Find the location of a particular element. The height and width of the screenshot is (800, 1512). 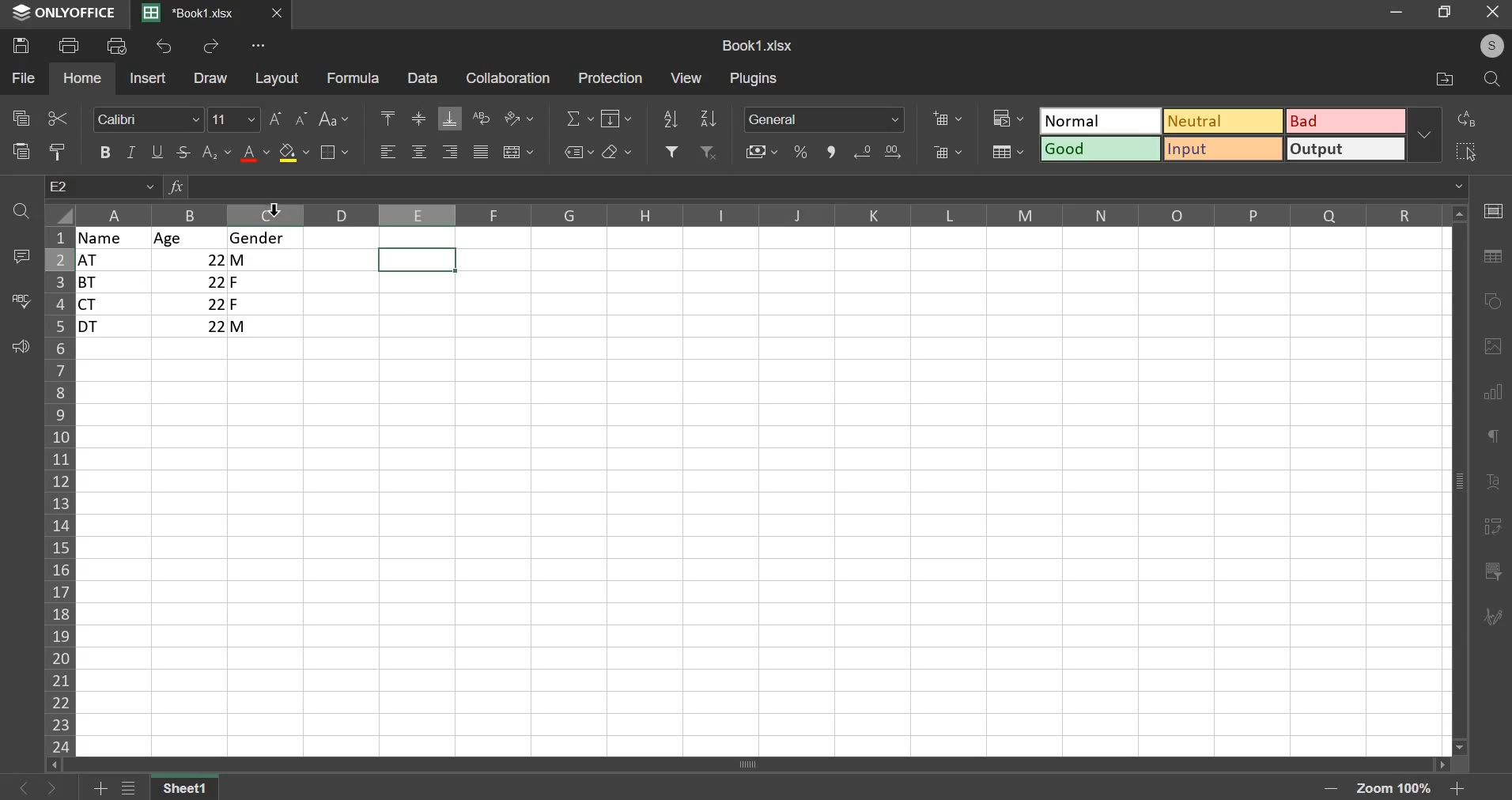

file is located at coordinates (23, 77).